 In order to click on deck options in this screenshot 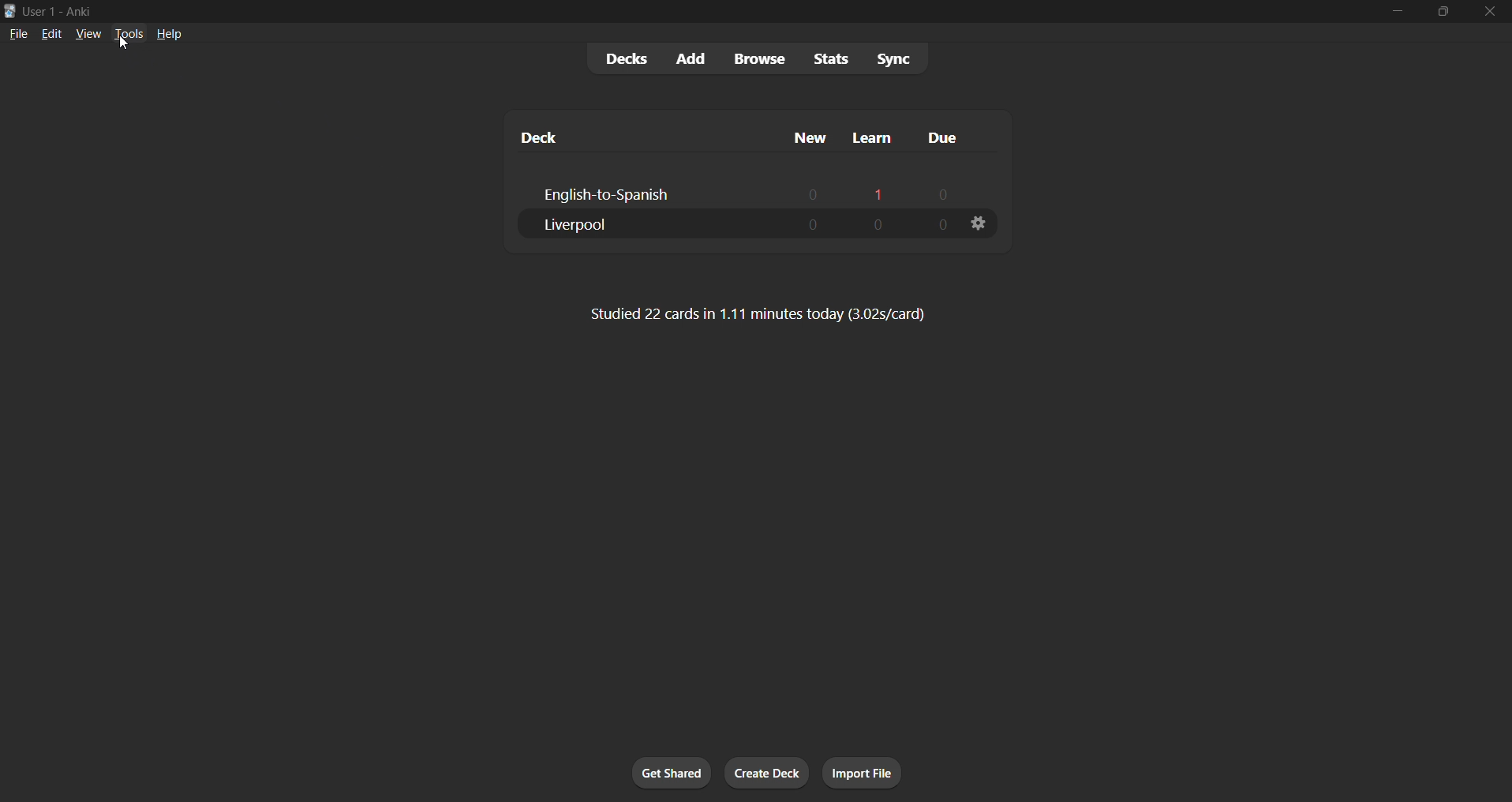, I will do `click(982, 226)`.